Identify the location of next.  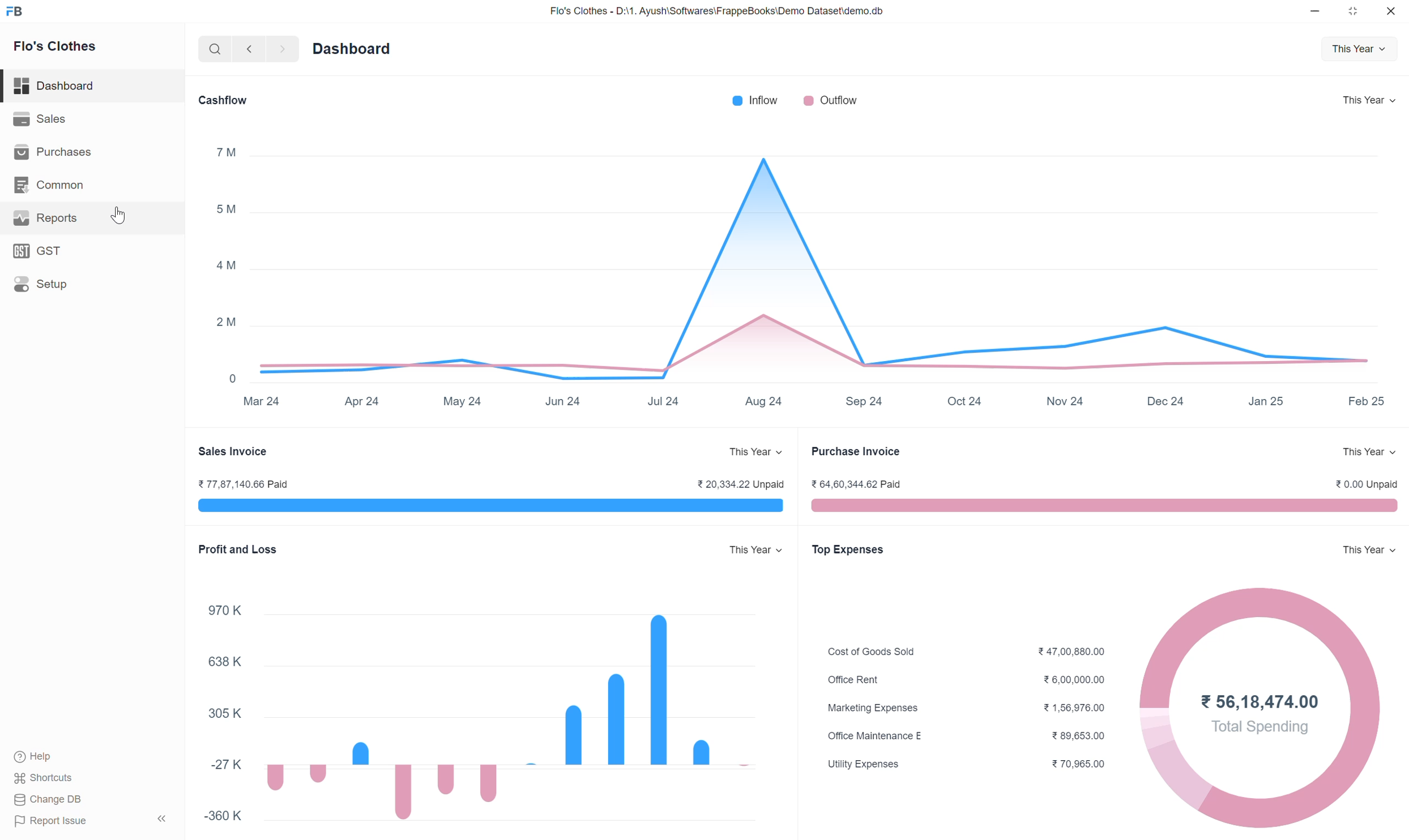
(281, 49).